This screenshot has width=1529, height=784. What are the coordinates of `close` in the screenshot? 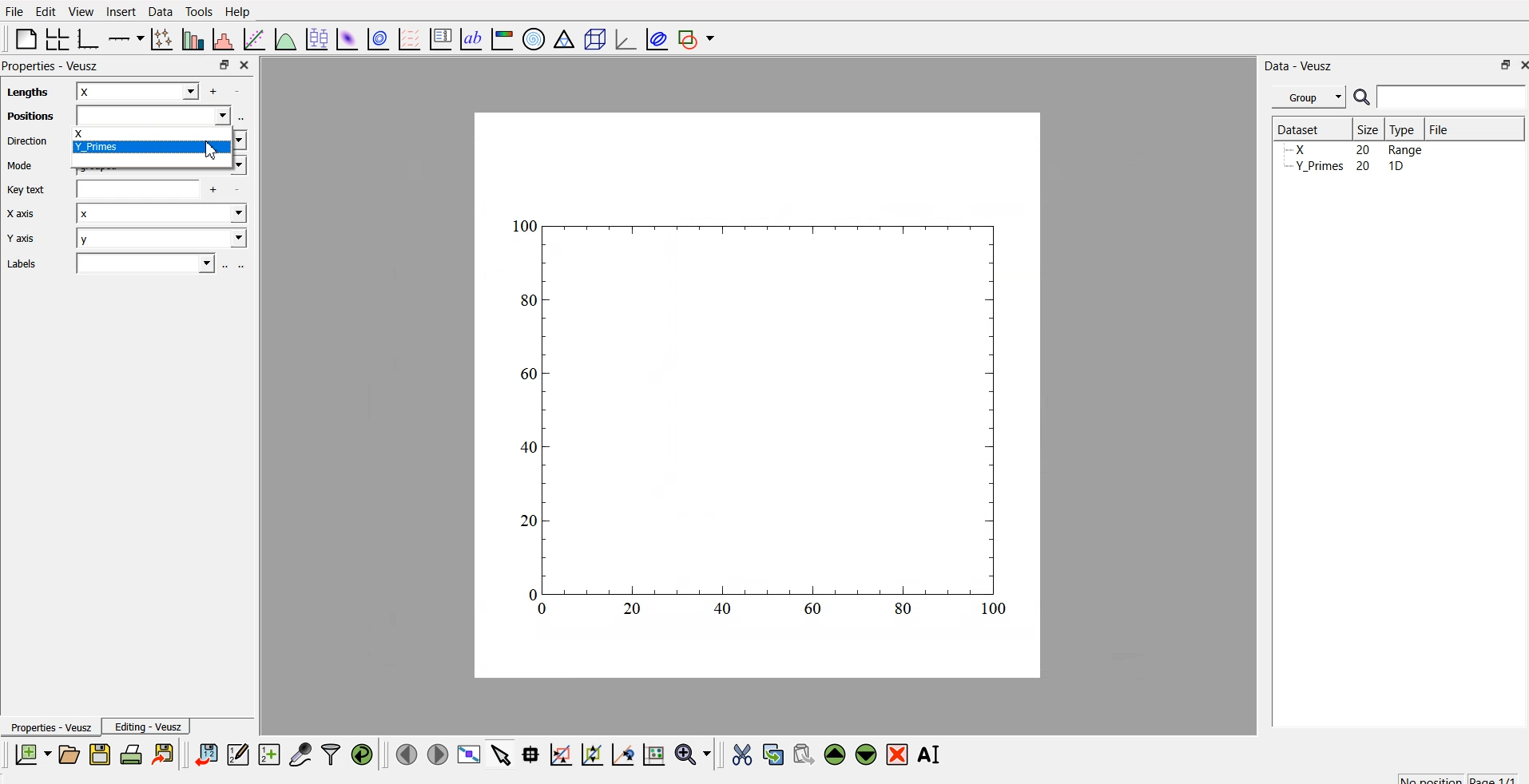 It's located at (243, 64).